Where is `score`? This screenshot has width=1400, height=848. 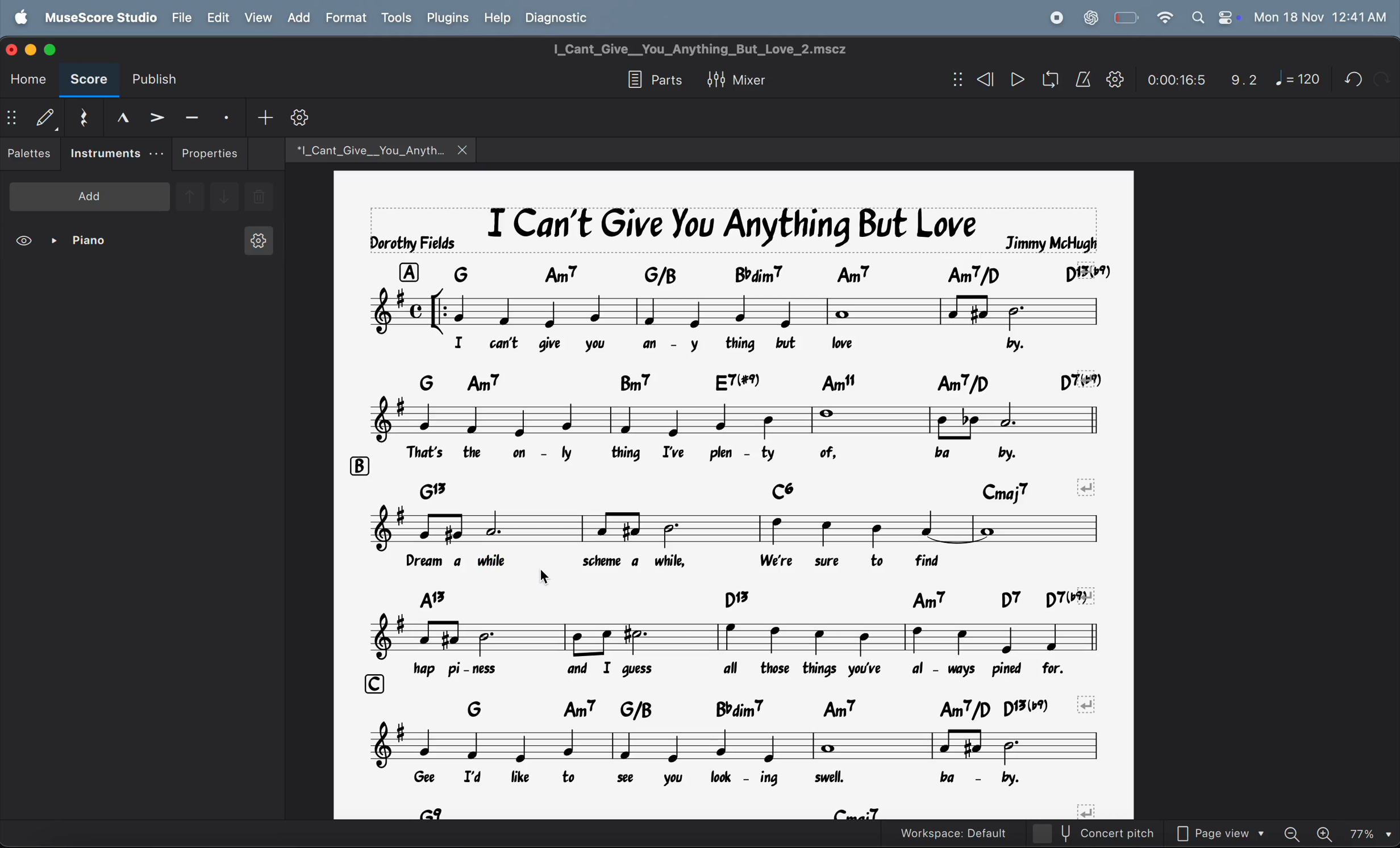 score is located at coordinates (89, 82).